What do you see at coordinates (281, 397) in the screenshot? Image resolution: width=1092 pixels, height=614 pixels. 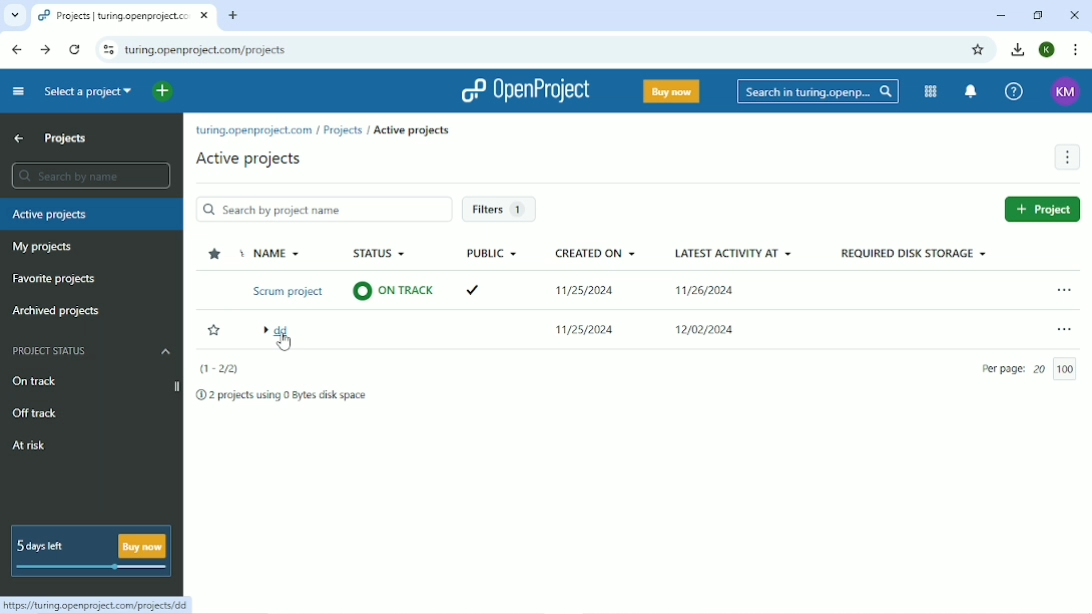 I see `2 projects using 0 Bytes disk space` at bounding box center [281, 397].